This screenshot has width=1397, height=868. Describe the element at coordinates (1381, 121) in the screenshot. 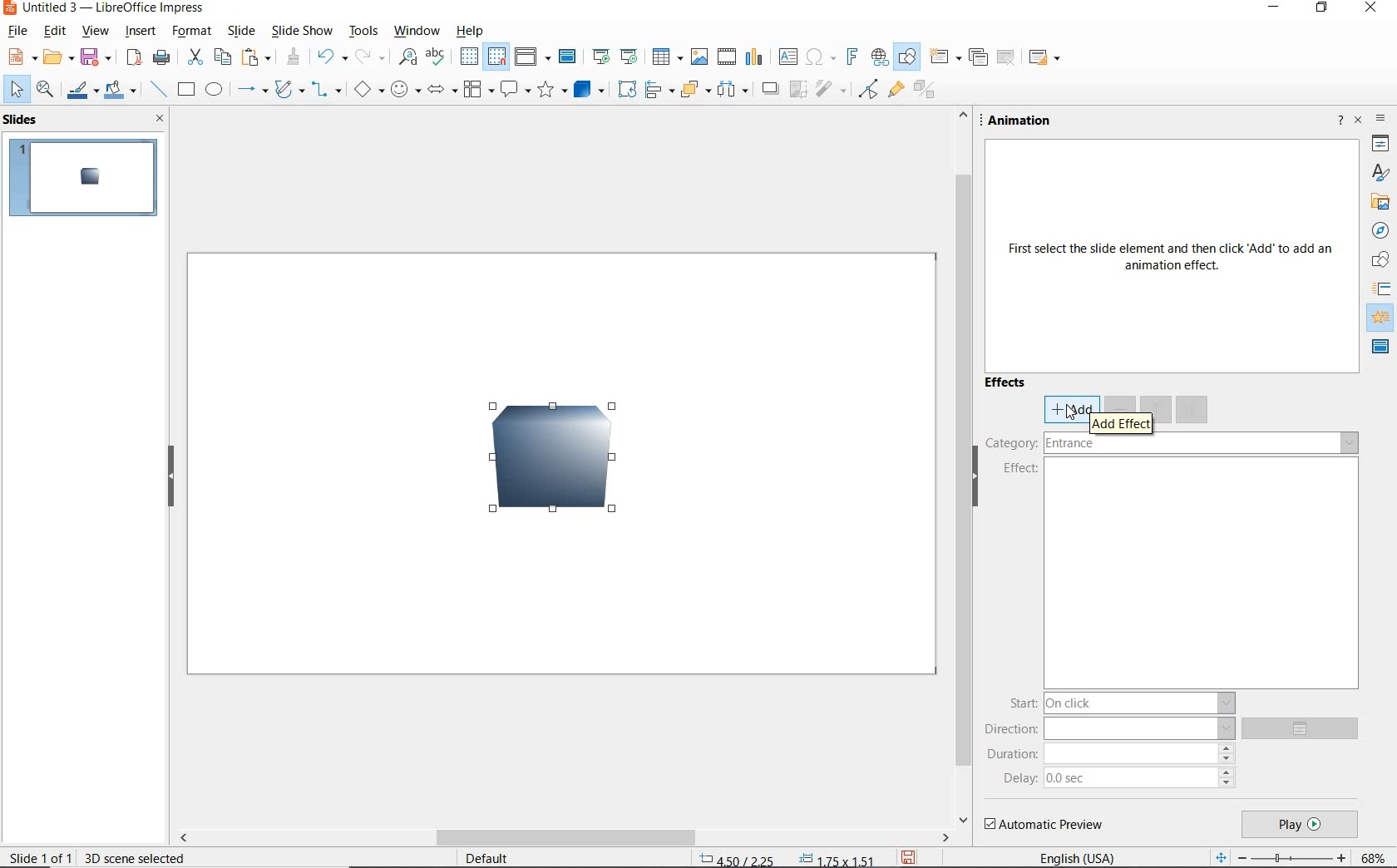

I see `SIDEBAR SETTINGS` at that location.